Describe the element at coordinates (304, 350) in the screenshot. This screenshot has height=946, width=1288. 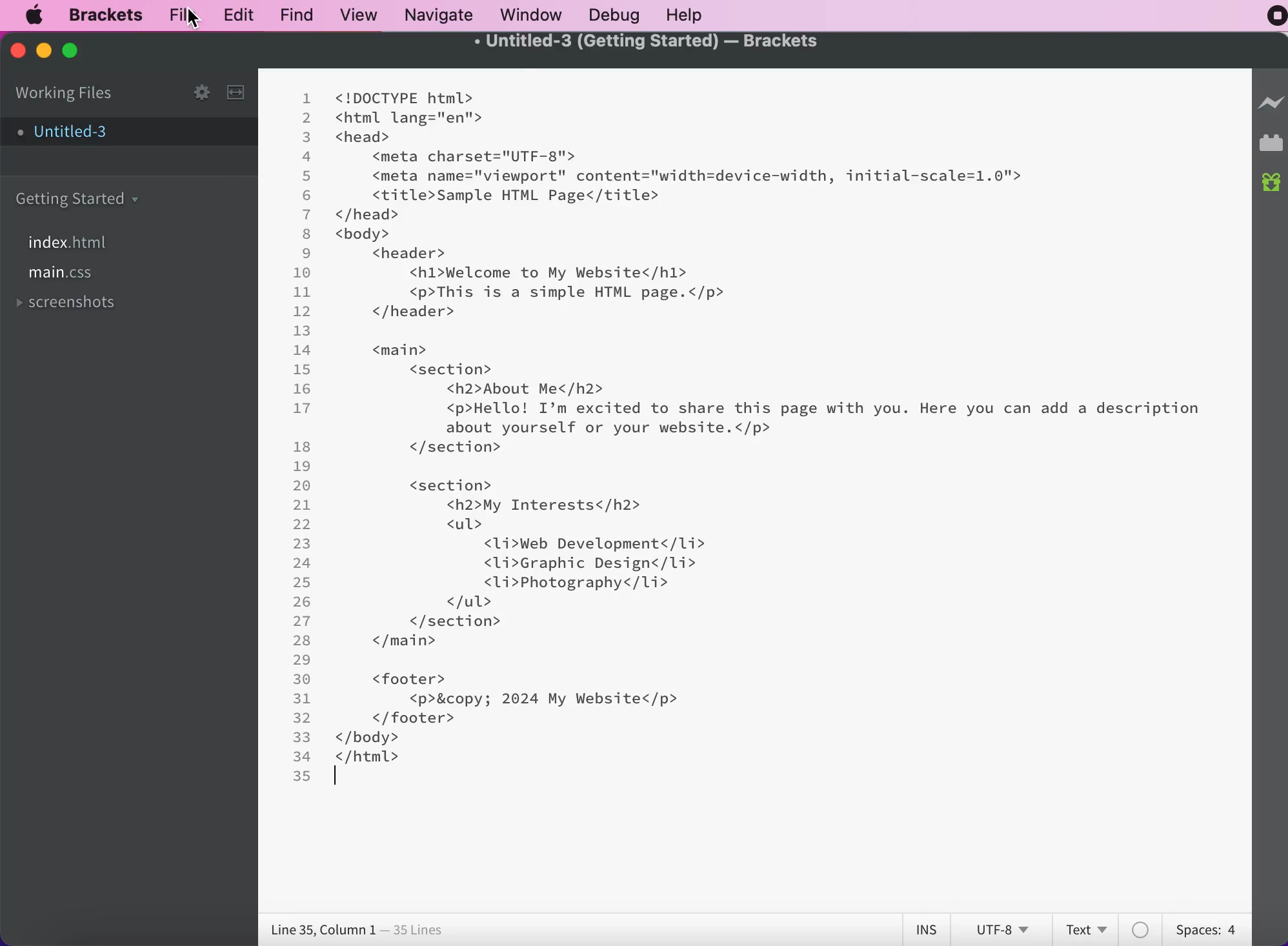
I see `14` at that location.